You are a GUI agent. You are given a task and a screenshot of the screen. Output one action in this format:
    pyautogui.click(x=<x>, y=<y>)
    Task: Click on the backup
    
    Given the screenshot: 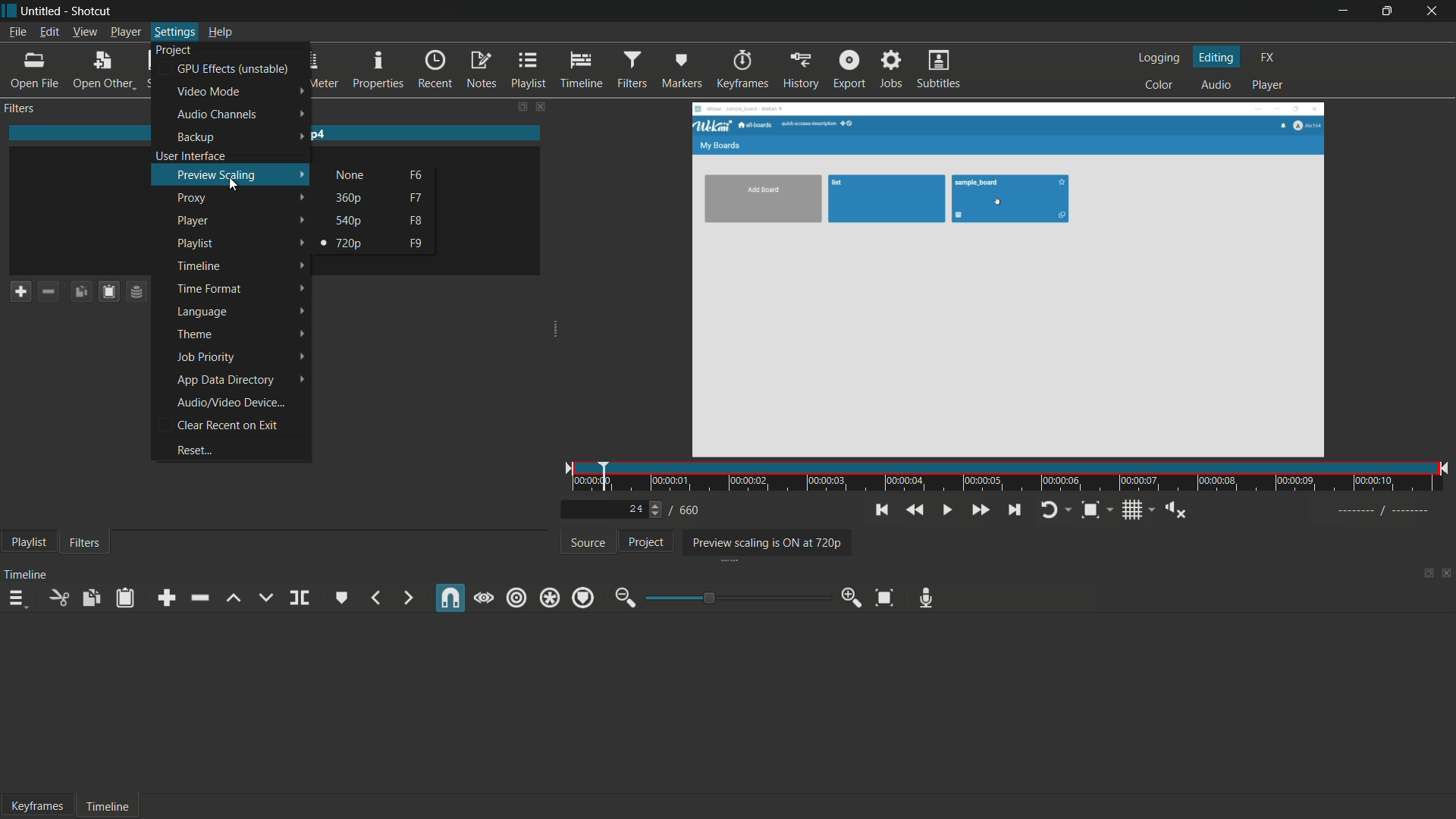 What is the action you would take?
    pyautogui.click(x=196, y=137)
    